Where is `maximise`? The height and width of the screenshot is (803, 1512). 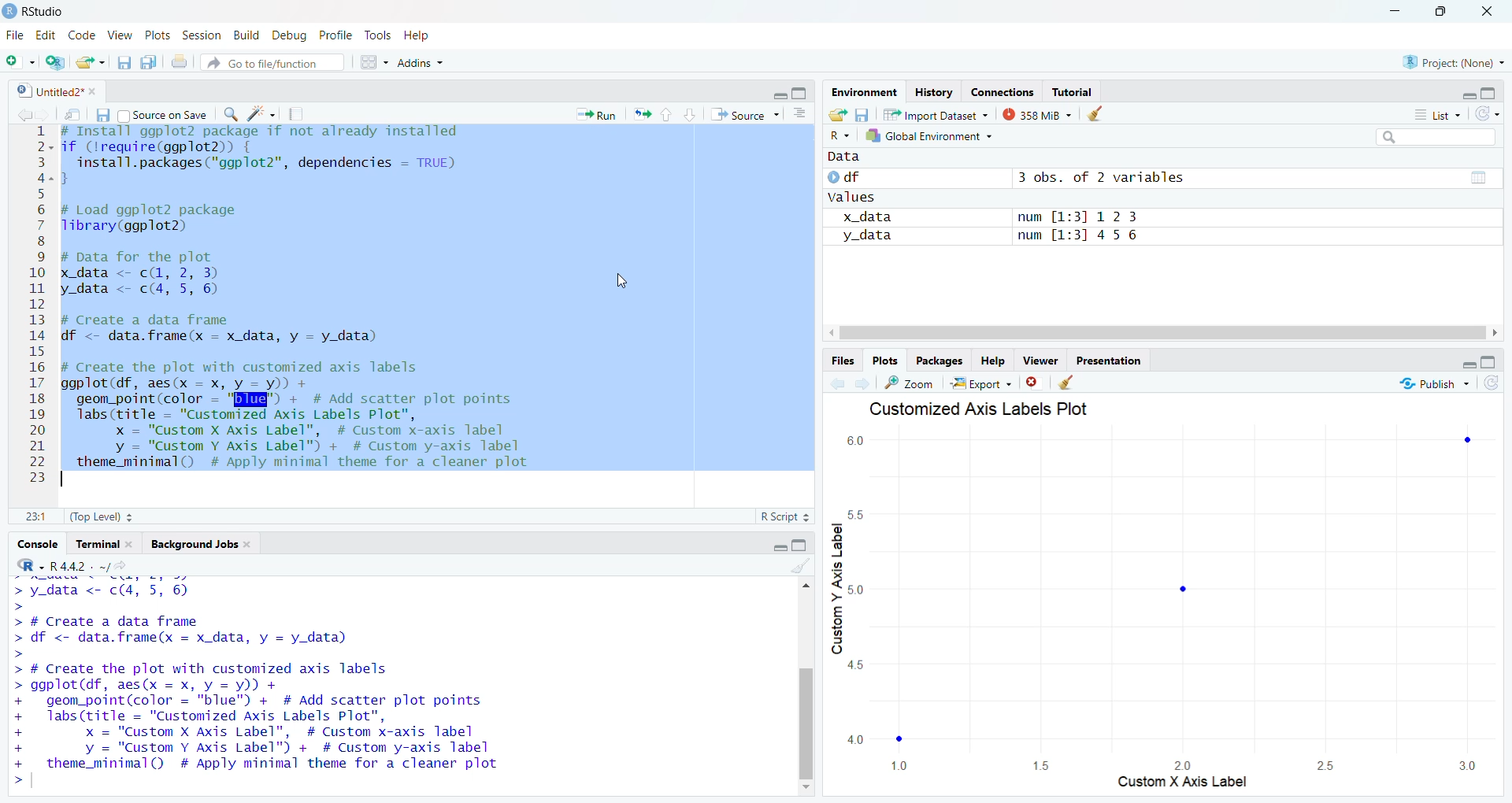 maximise is located at coordinates (1492, 361).